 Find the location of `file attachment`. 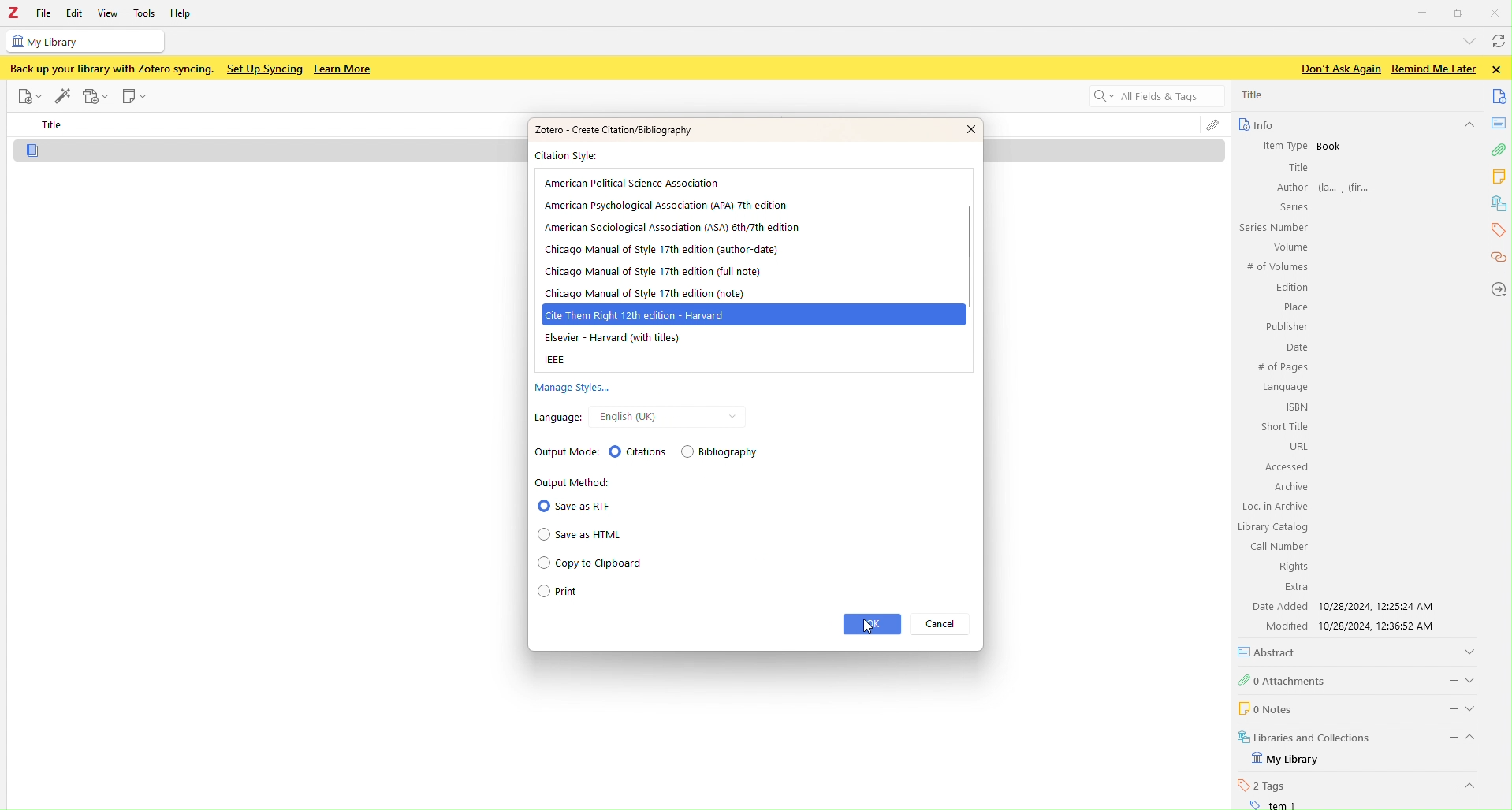

file attachment is located at coordinates (1212, 127).